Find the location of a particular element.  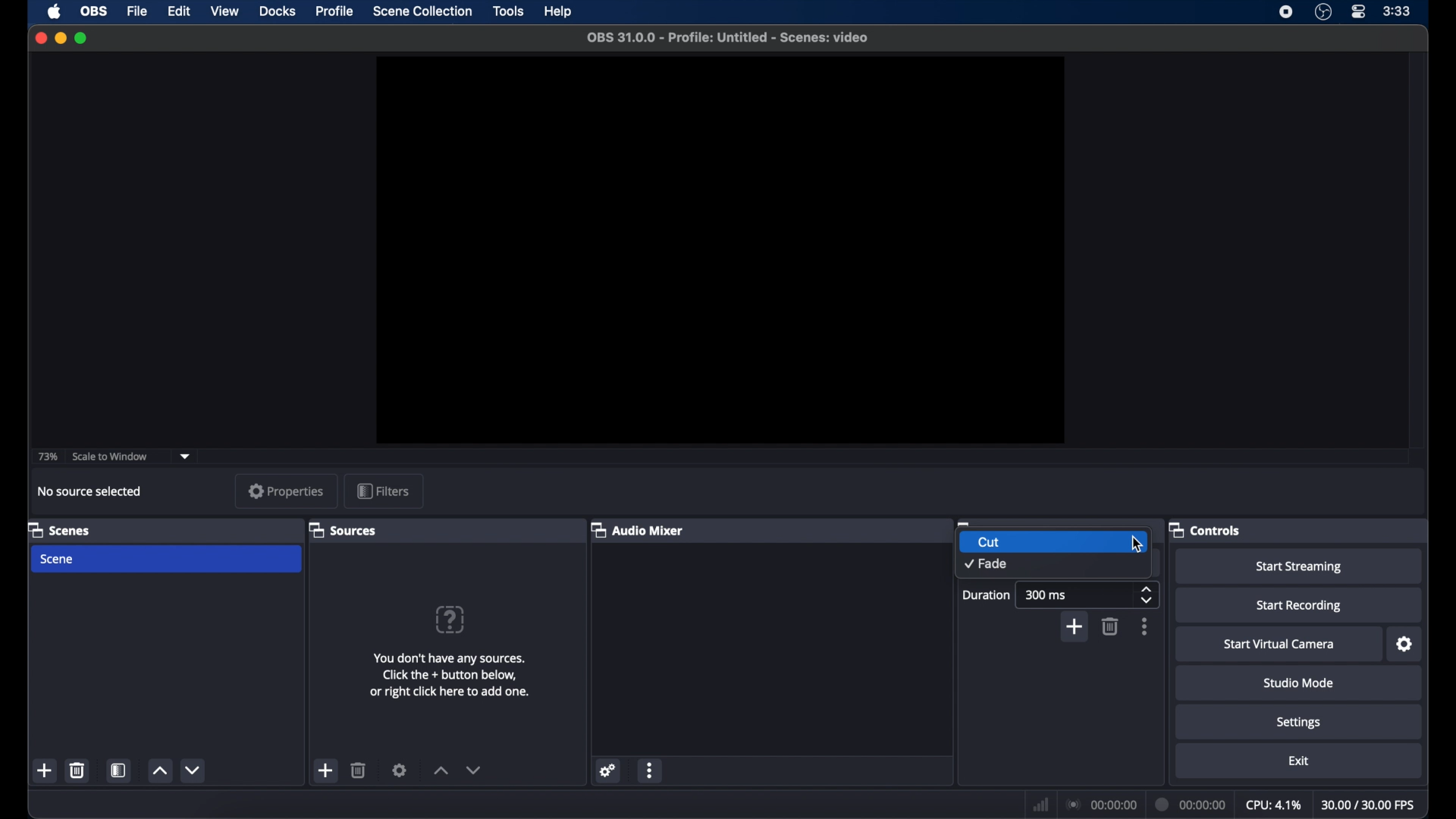

docks is located at coordinates (278, 11).